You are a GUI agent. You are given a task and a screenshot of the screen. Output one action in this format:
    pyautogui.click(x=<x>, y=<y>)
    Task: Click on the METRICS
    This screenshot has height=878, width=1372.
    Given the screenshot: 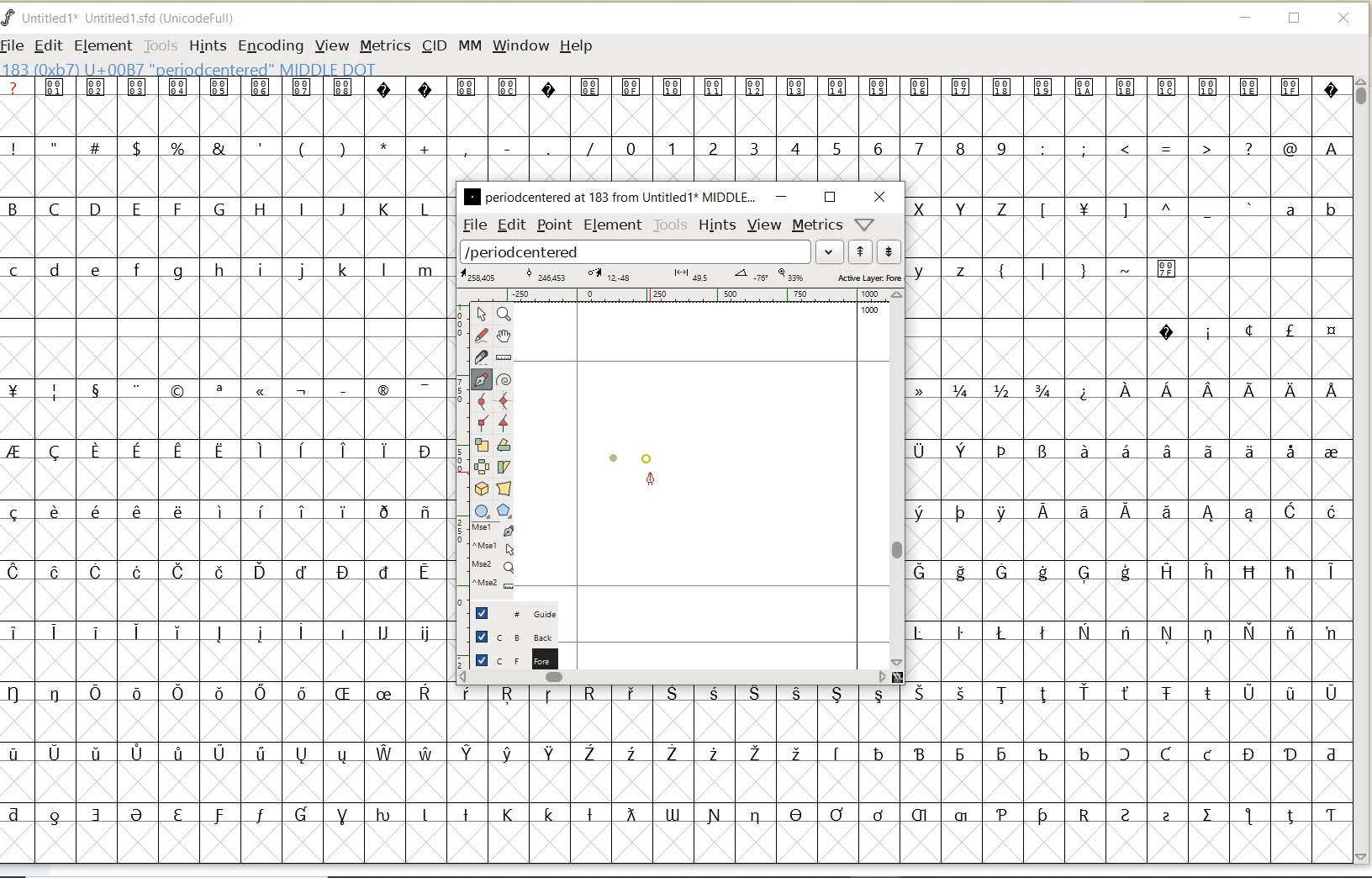 What is the action you would take?
    pyautogui.click(x=384, y=47)
    